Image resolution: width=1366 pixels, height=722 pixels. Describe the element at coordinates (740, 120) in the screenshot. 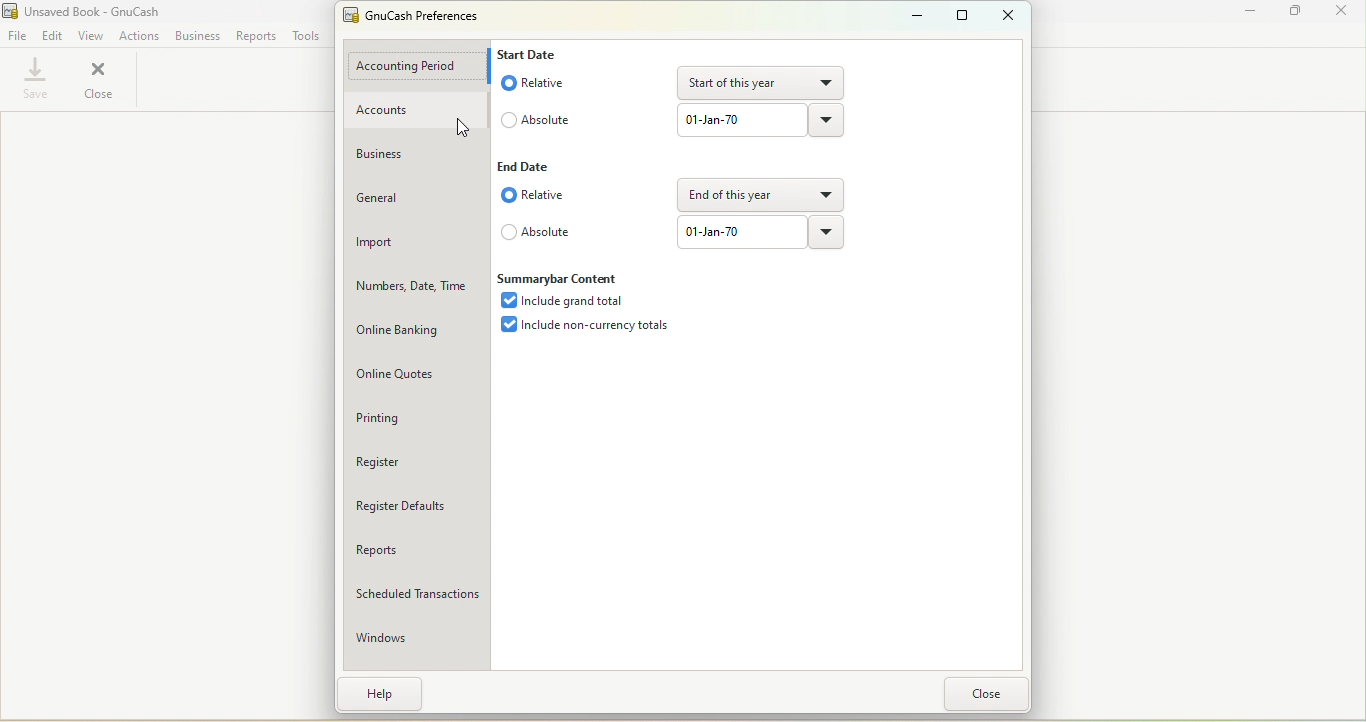

I see `Text box` at that location.